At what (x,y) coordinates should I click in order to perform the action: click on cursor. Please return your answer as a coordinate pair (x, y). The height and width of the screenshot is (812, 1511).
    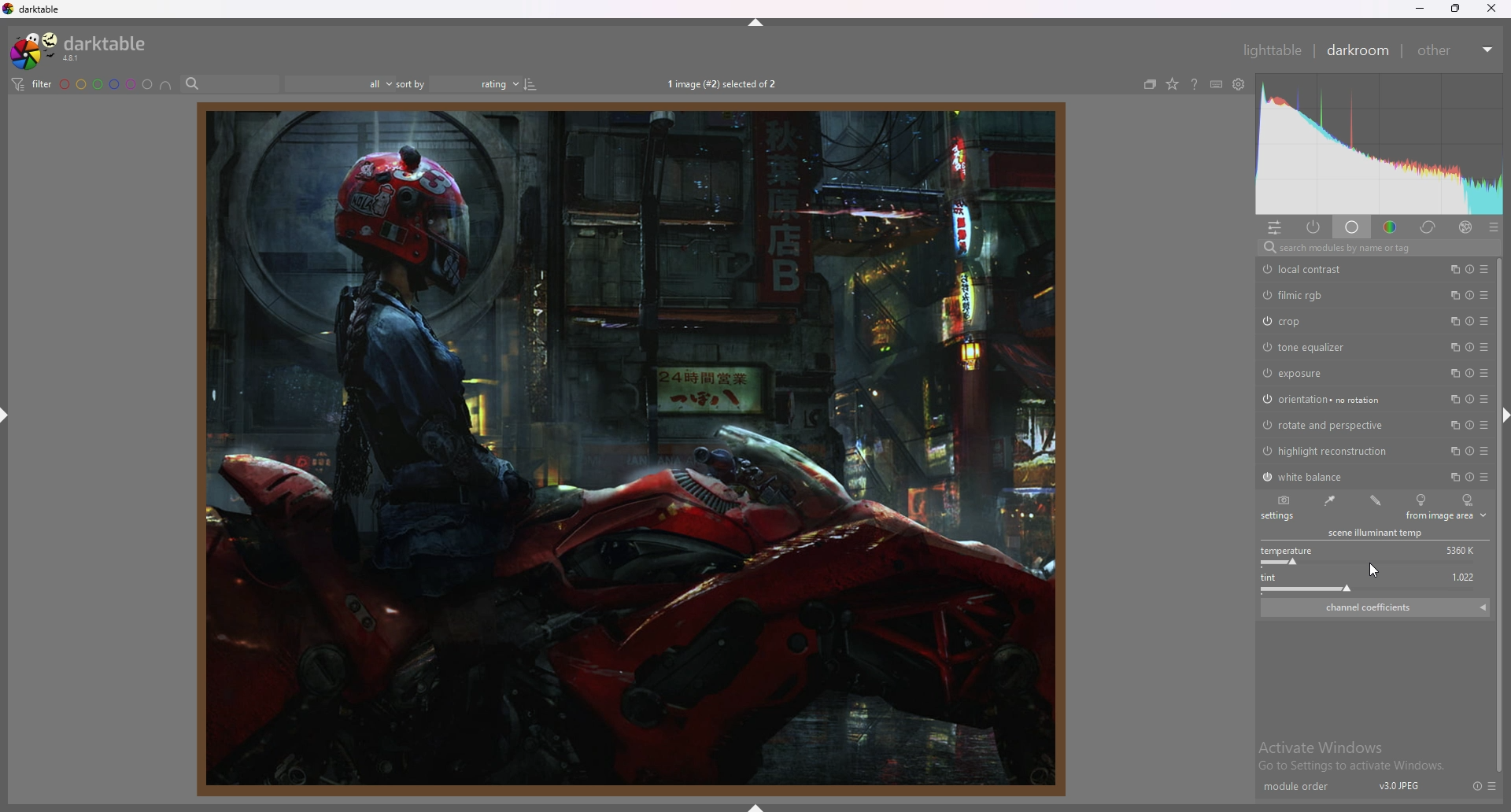
    Looking at the image, I should click on (1372, 570).